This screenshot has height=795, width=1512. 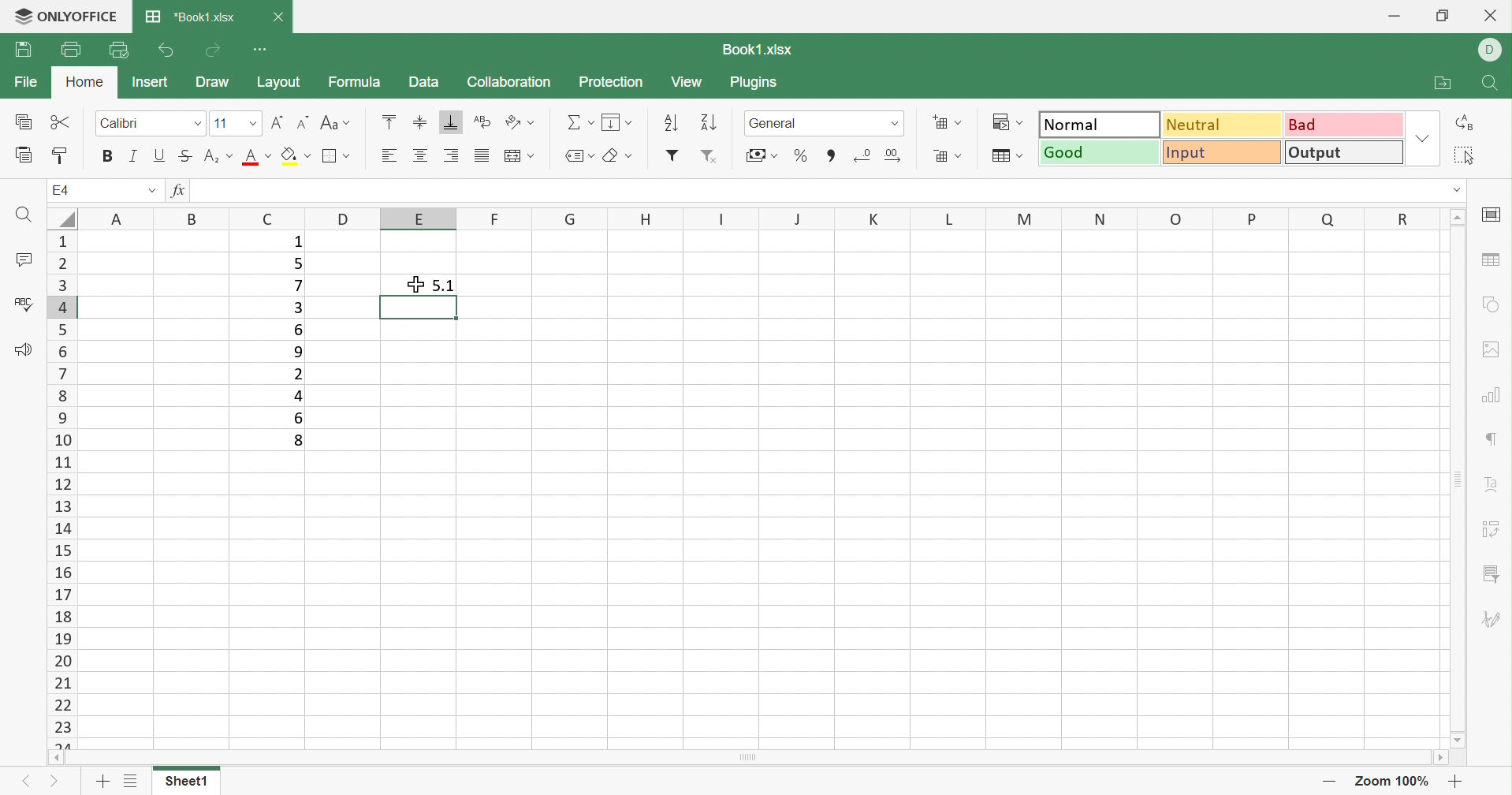 I want to click on Italic, so click(x=135, y=157).